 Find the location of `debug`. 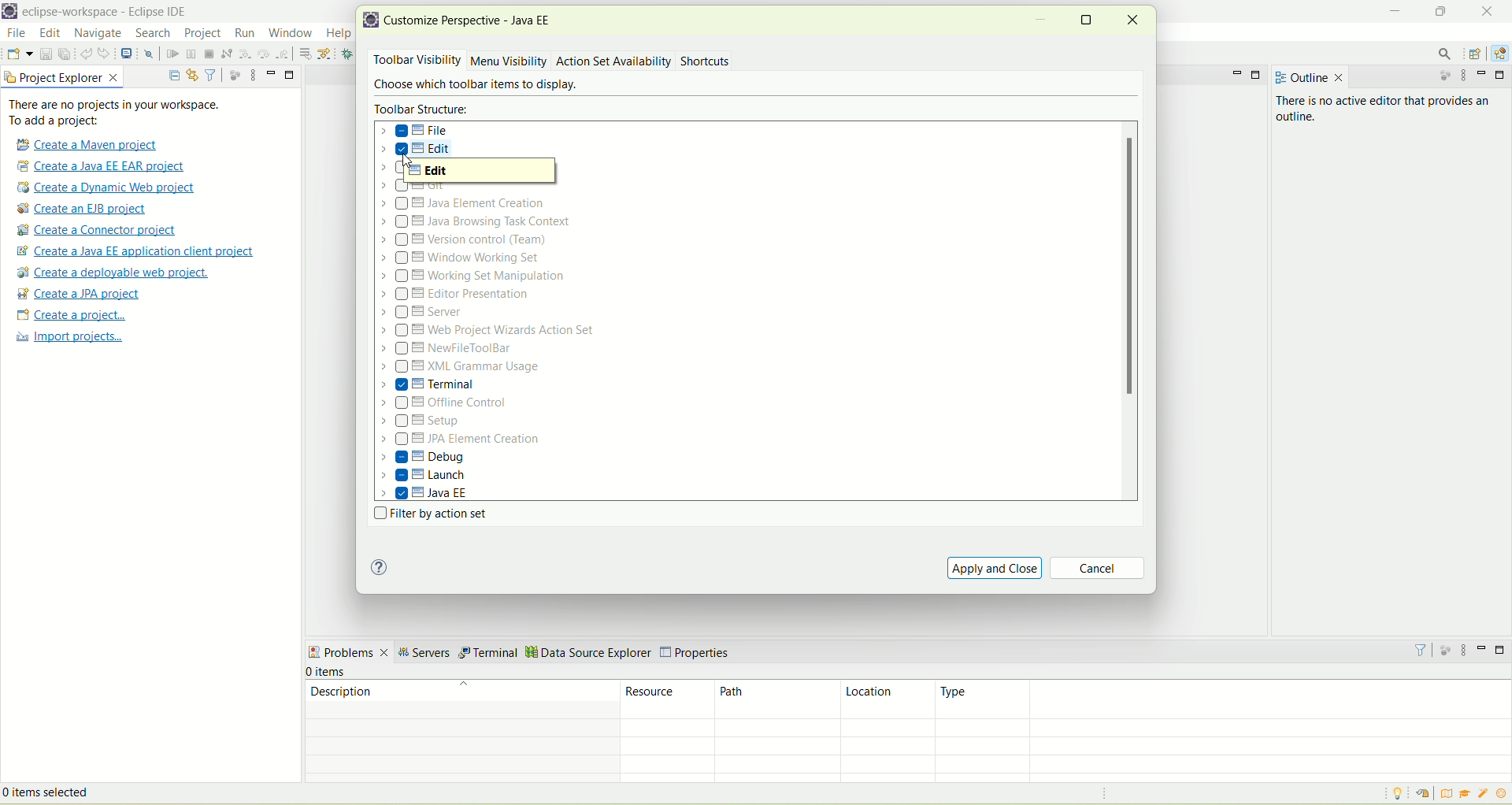

debug is located at coordinates (423, 457).